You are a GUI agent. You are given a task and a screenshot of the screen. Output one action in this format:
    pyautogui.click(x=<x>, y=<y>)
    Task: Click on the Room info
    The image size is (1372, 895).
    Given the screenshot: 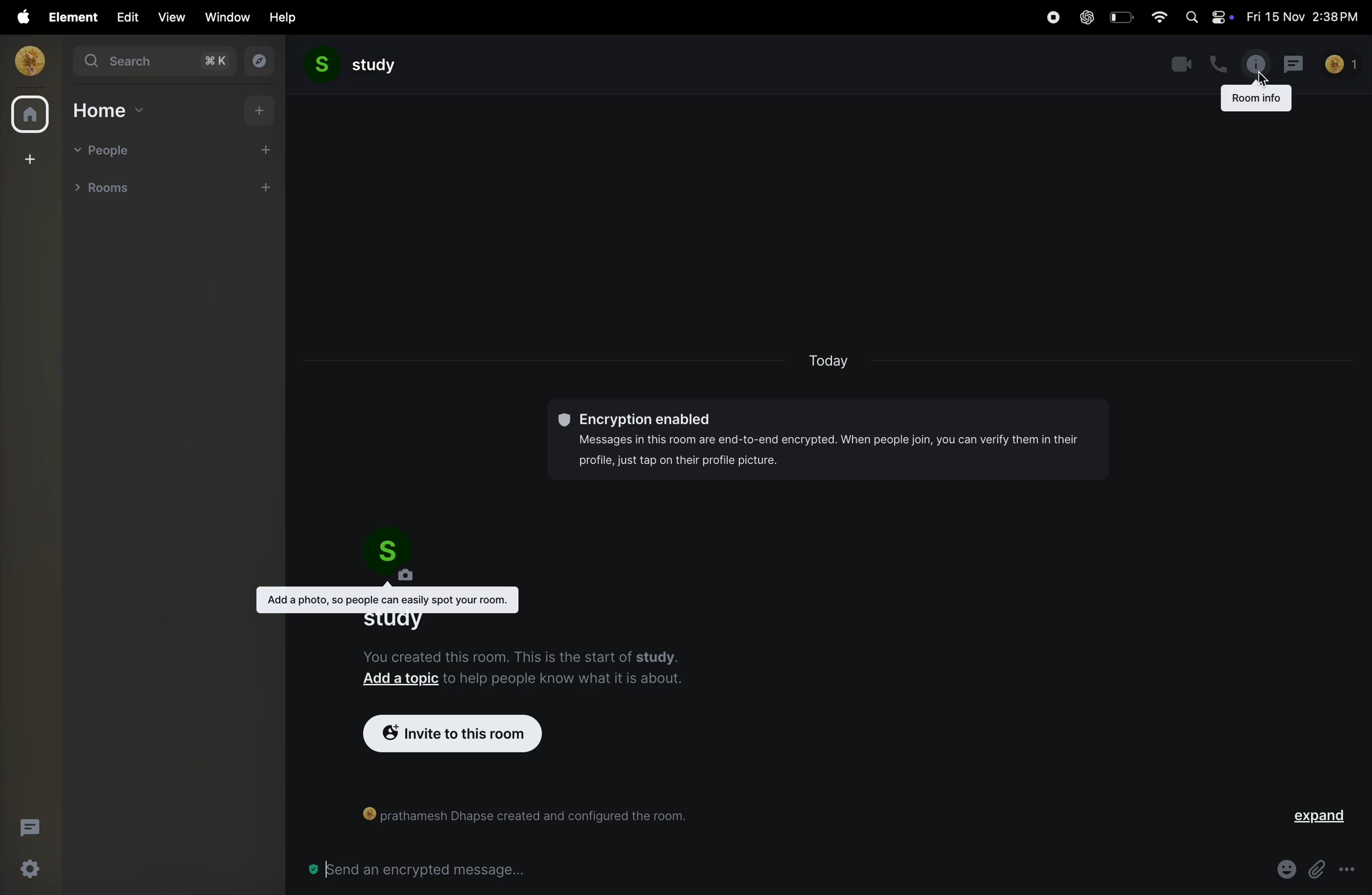 What is the action you would take?
    pyautogui.click(x=1256, y=100)
    